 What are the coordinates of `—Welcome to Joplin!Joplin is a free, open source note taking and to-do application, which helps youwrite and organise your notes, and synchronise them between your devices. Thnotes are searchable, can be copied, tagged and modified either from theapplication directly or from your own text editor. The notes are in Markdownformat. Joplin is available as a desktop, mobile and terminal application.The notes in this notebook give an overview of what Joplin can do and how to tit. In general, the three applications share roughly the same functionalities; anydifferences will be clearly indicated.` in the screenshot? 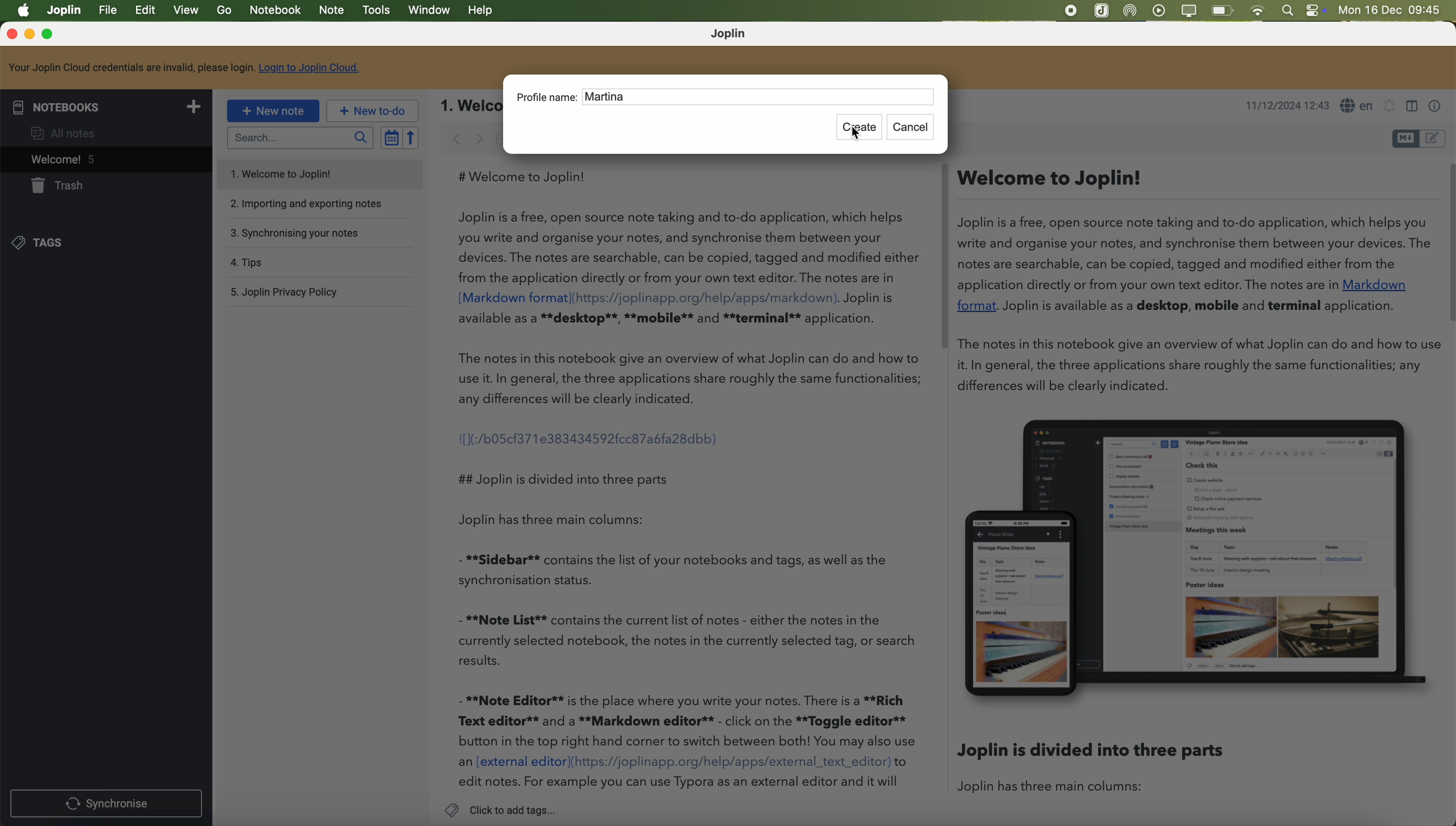 It's located at (1192, 283).